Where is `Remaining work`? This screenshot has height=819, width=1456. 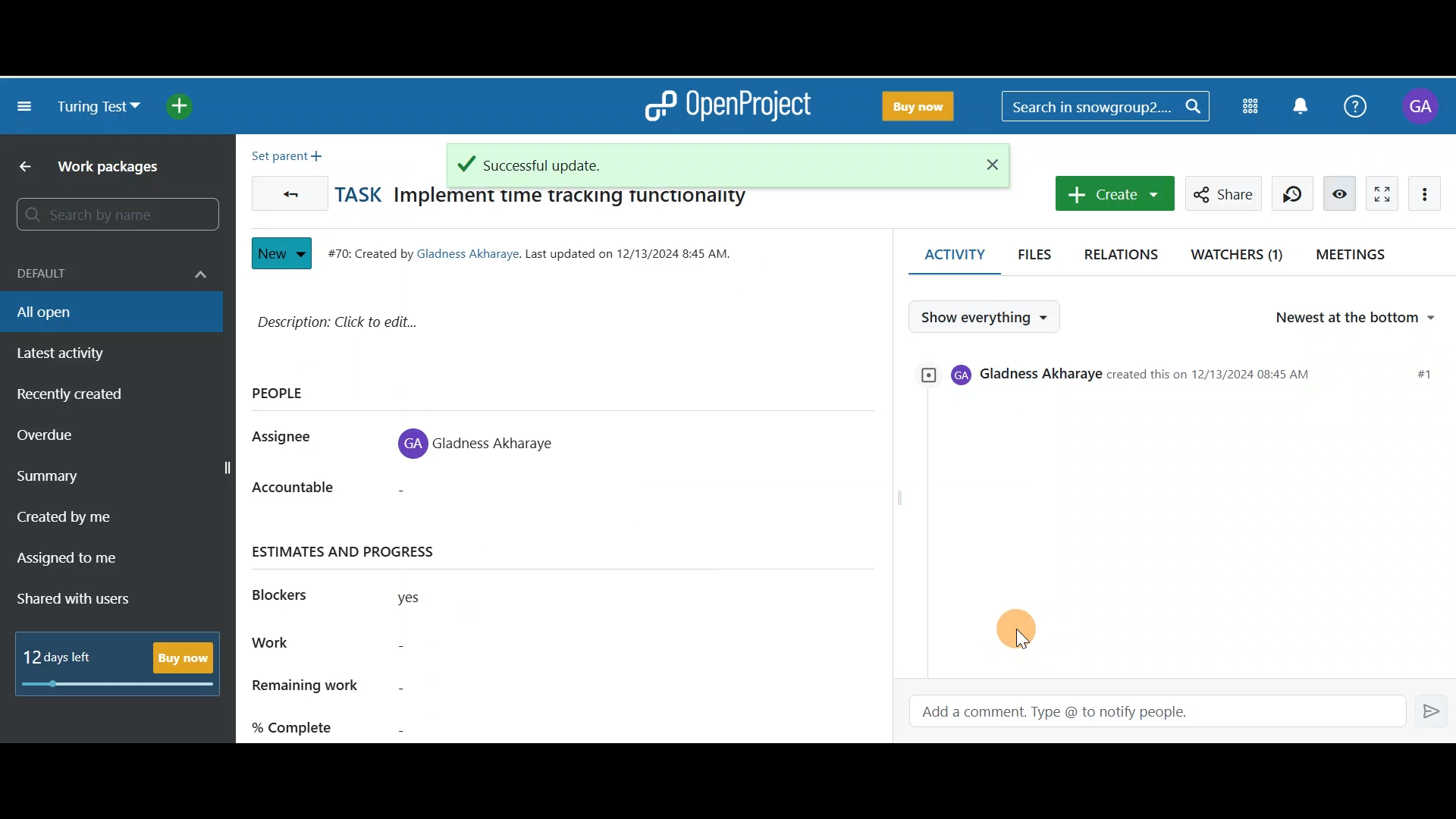
Remaining work is located at coordinates (403, 687).